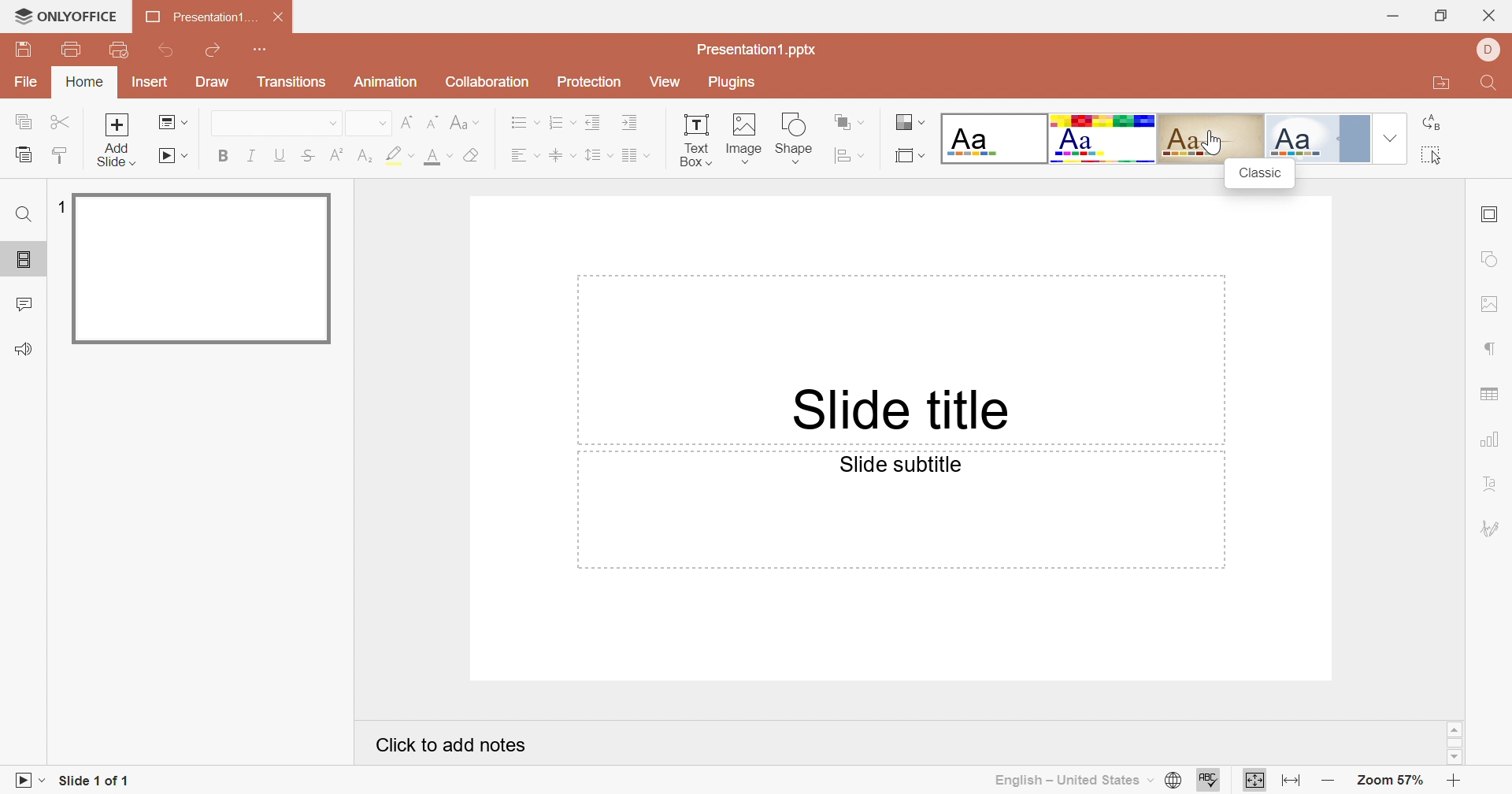 The height and width of the screenshot is (794, 1512). What do you see at coordinates (20, 119) in the screenshot?
I see `Copy` at bounding box center [20, 119].